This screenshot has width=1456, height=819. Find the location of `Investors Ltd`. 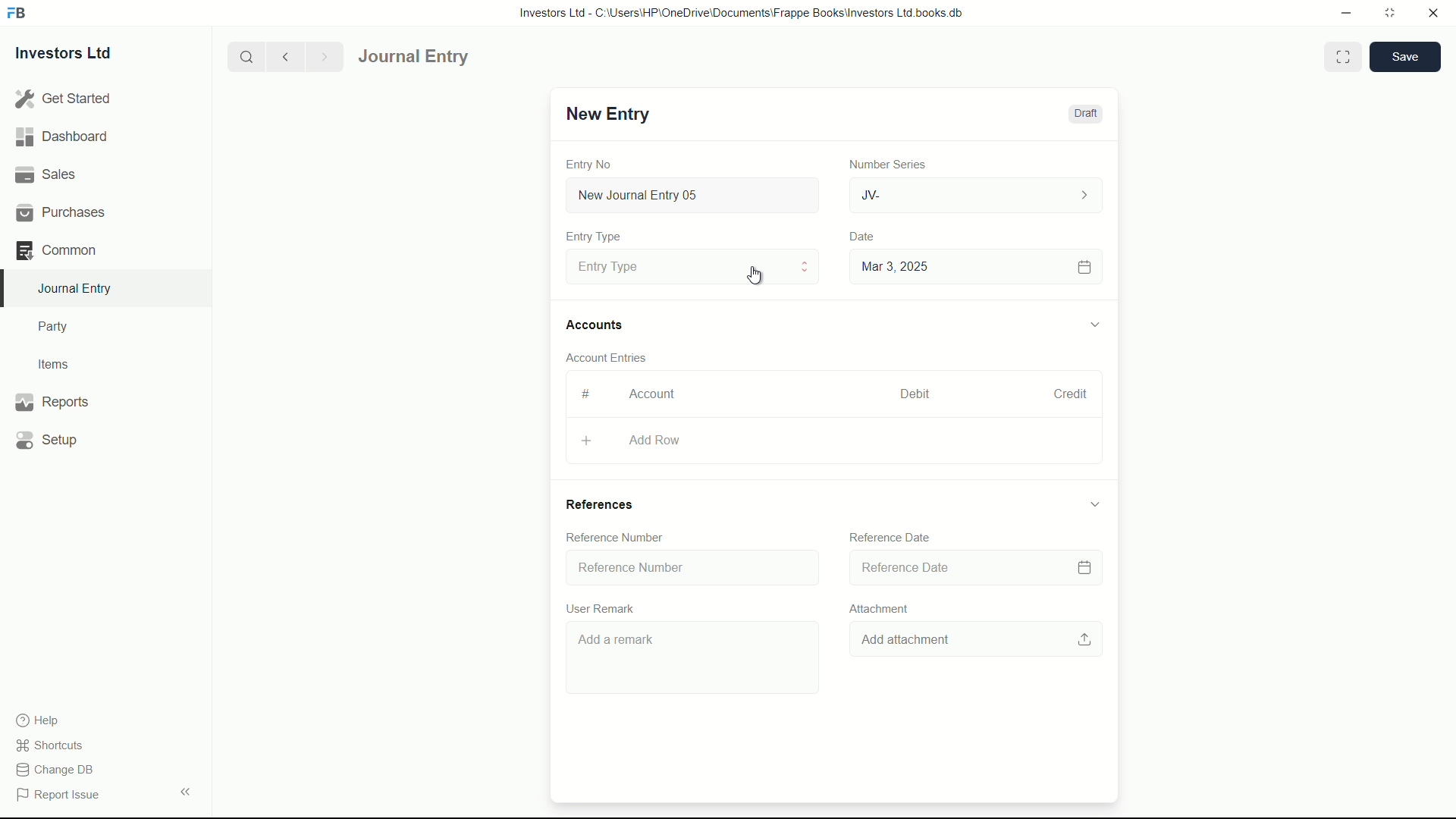

Investors Ltd is located at coordinates (77, 55).